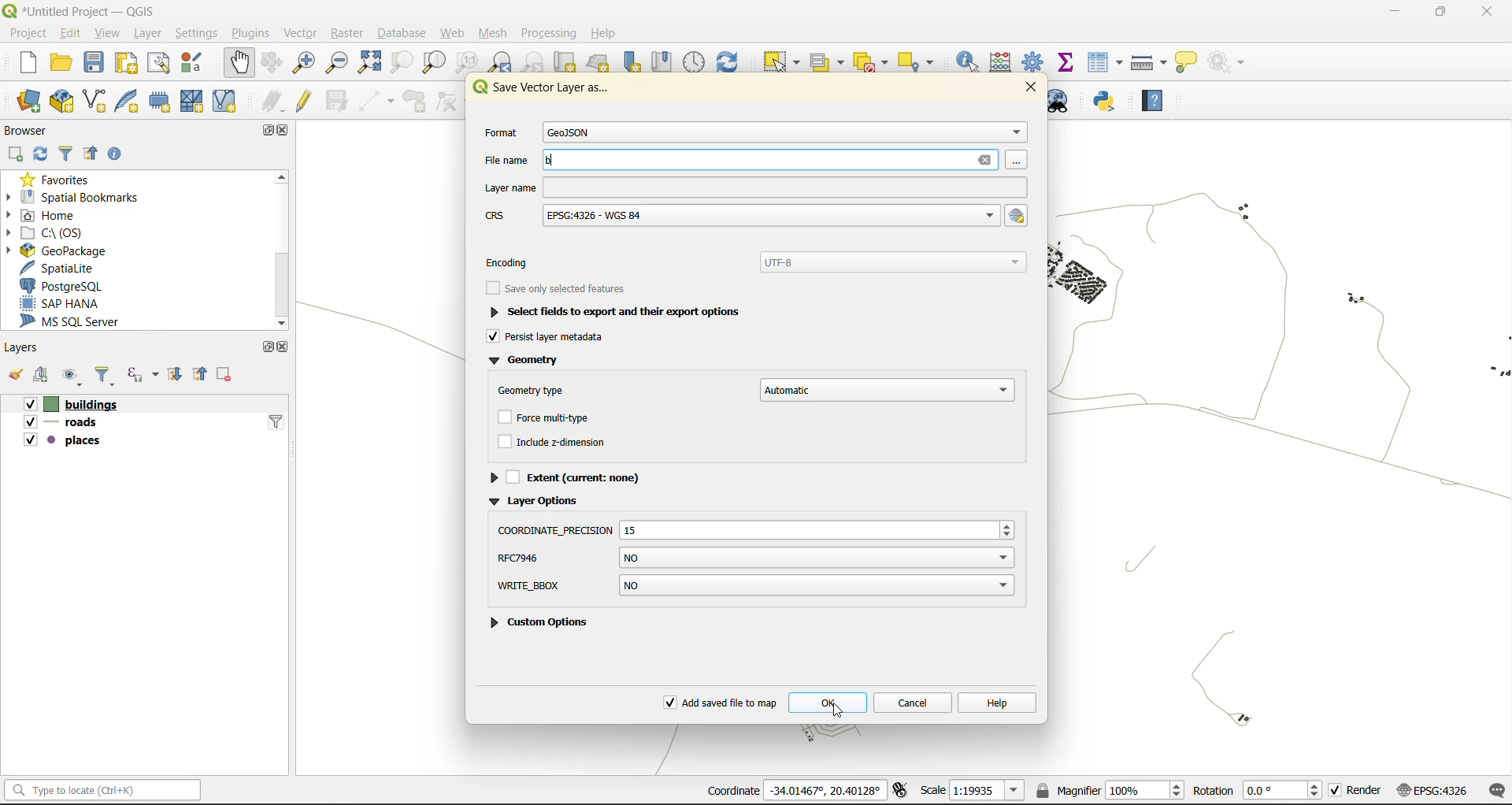 This screenshot has height=805, width=1512. I want to click on select, so click(779, 62).